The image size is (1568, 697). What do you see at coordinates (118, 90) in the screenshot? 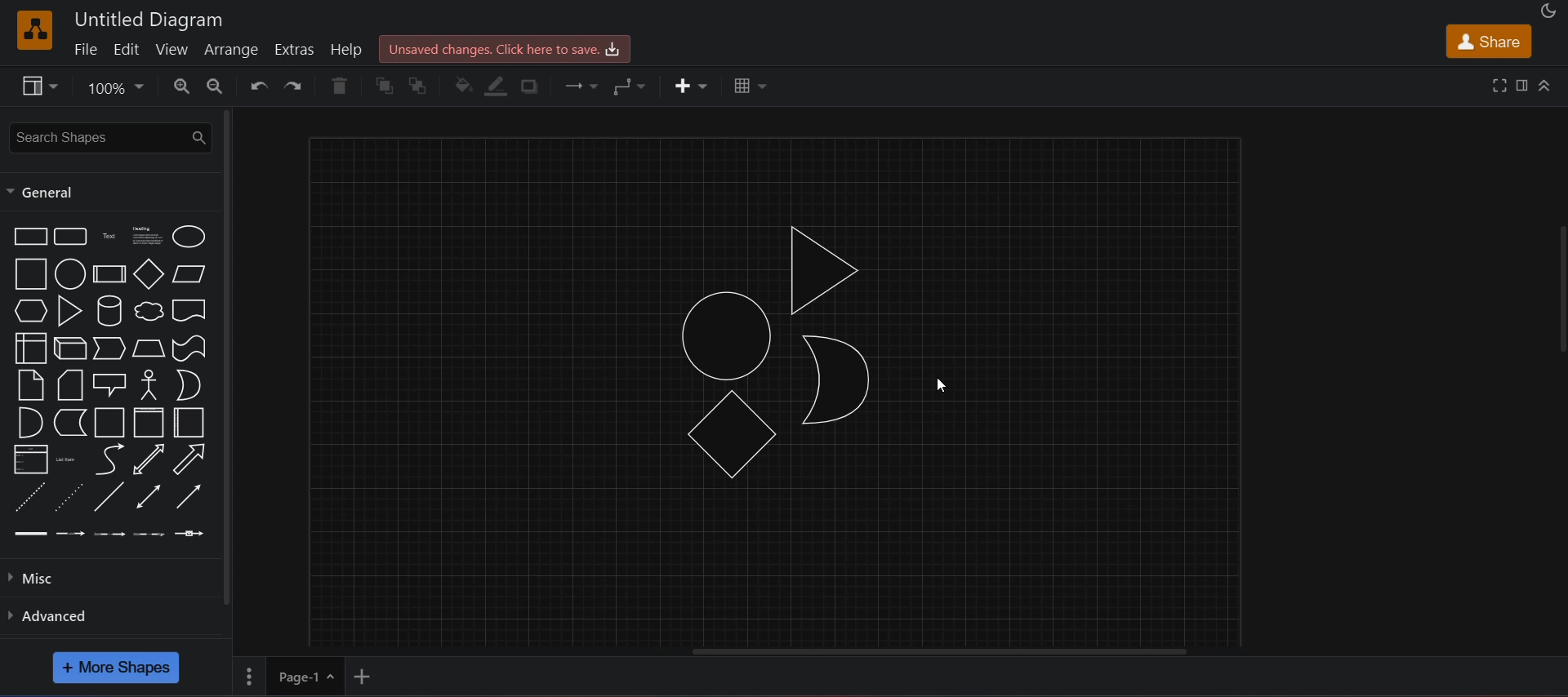
I see `zoom` at bounding box center [118, 90].